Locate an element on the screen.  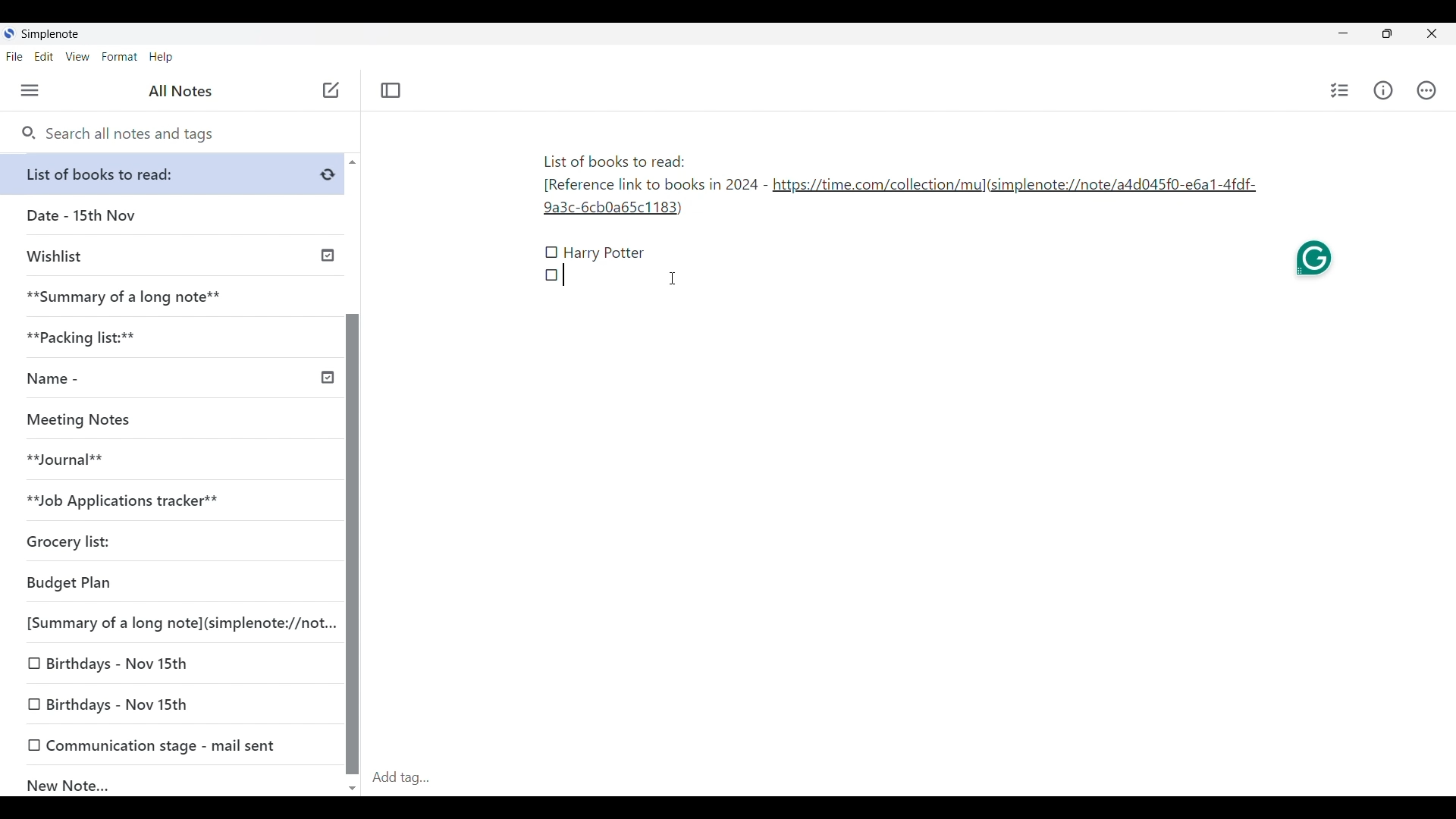
Harry Potter is located at coordinates (605, 254).